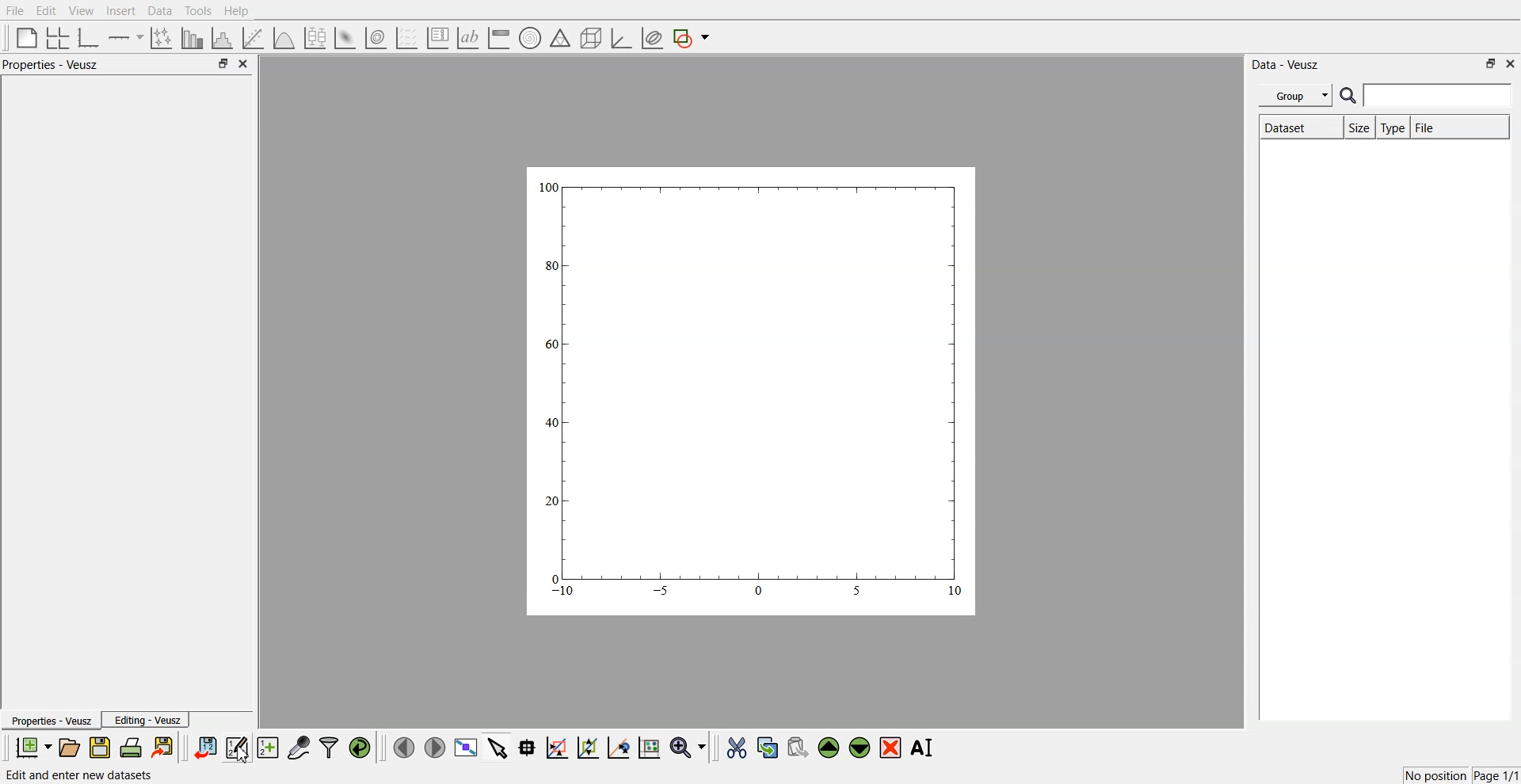 The width and height of the screenshot is (1521, 784). I want to click on plot points with non-orthogonal axes, so click(160, 37).